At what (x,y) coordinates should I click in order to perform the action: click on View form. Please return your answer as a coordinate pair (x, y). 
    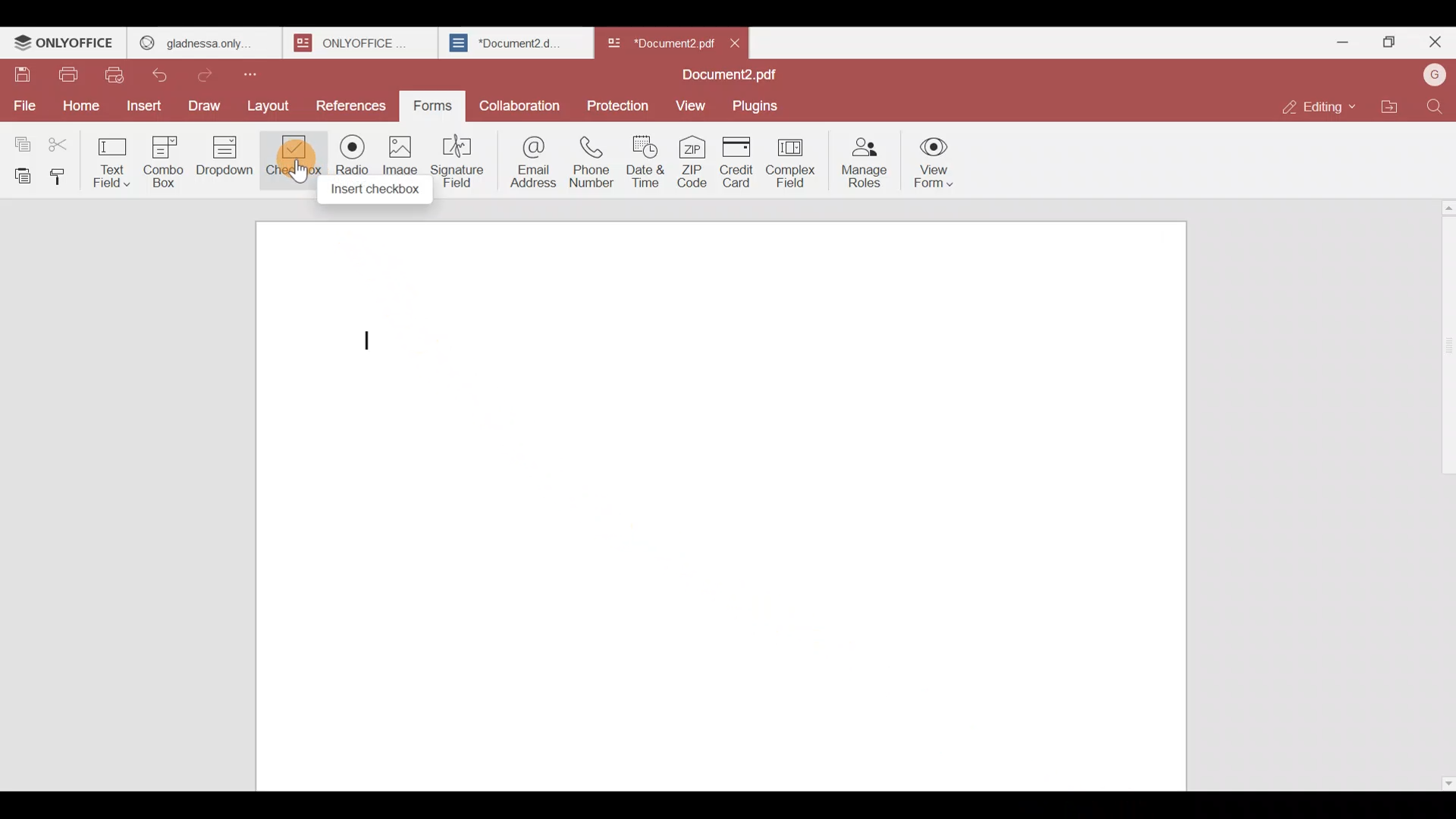
    Looking at the image, I should click on (936, 163).